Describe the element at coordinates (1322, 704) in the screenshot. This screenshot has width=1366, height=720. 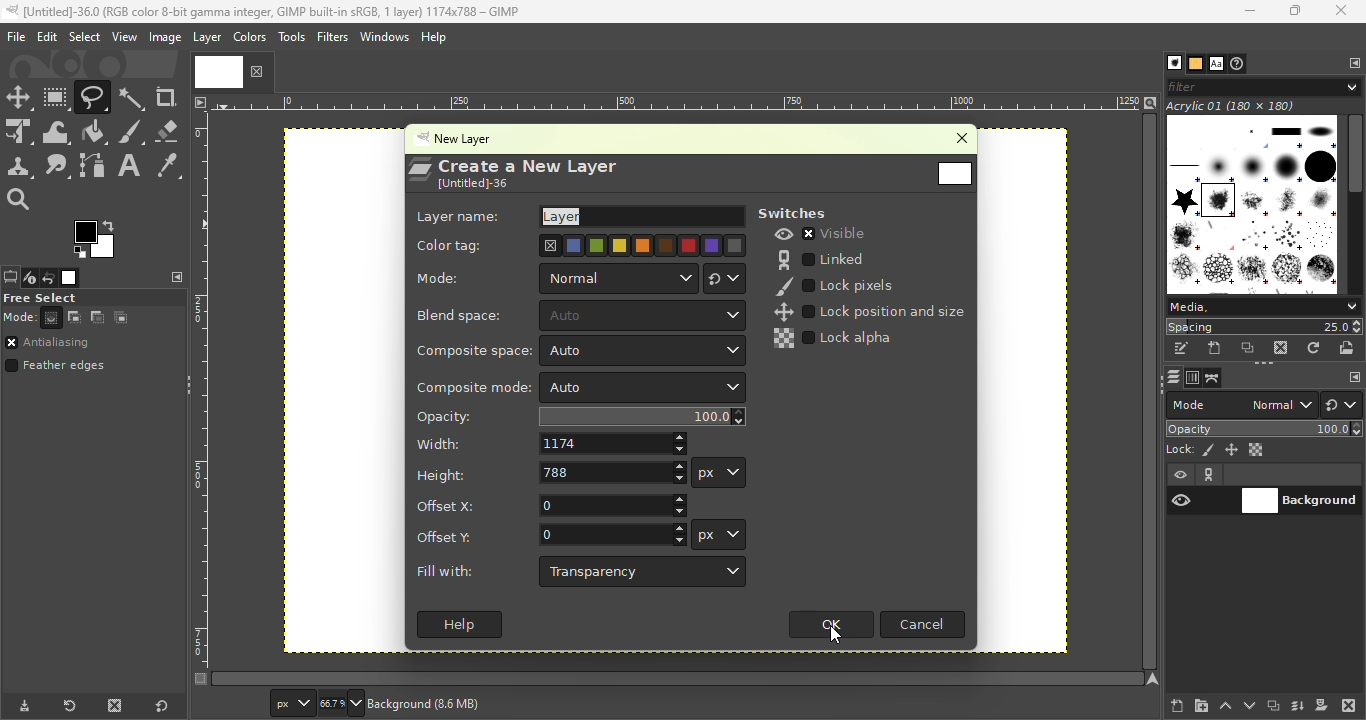
I see `Apply the effect of the layer mask and remove it` at that location.